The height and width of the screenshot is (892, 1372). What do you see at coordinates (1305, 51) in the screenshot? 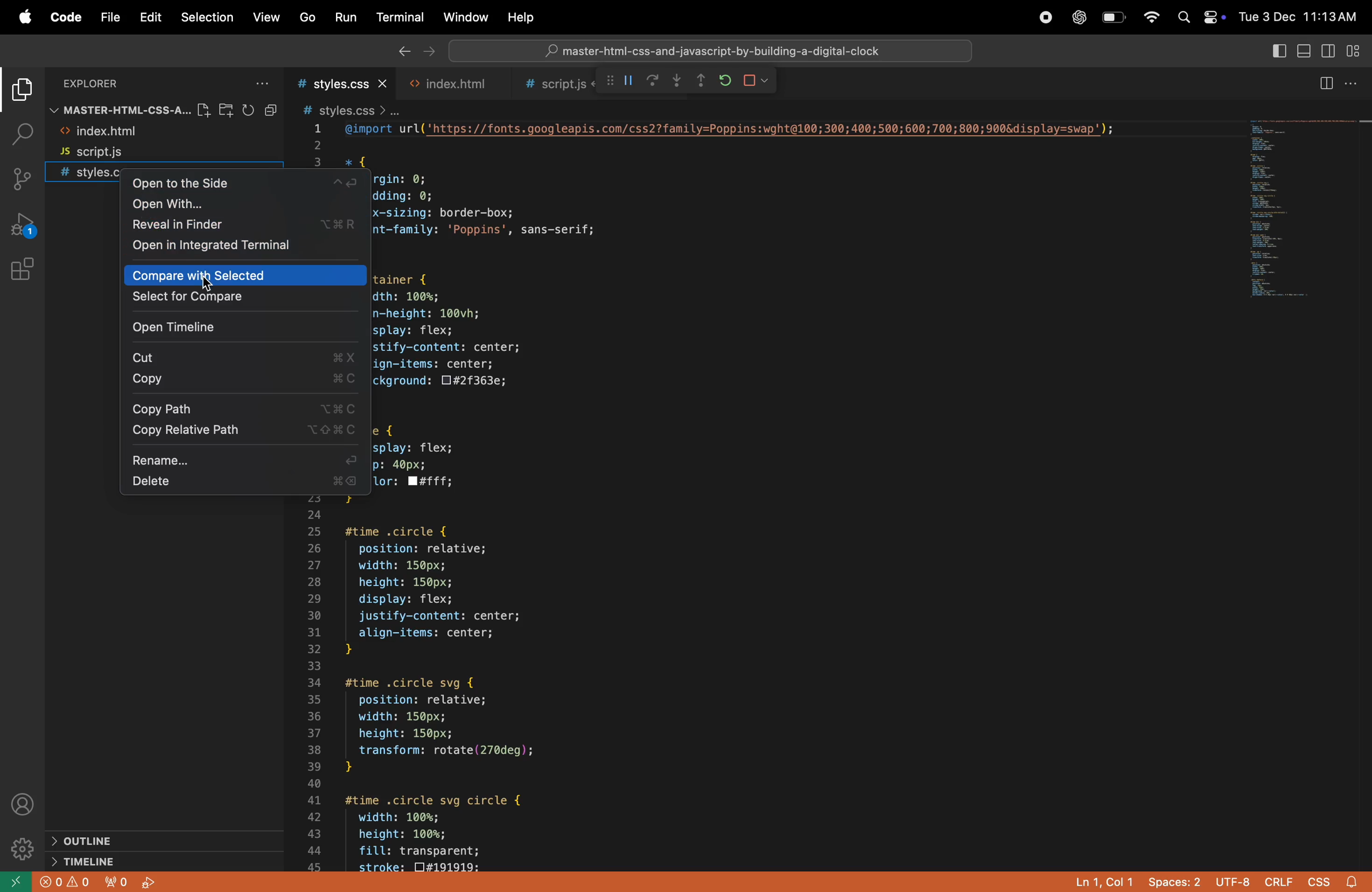
I see `toggle panel` at bounding box center [1305, 51].